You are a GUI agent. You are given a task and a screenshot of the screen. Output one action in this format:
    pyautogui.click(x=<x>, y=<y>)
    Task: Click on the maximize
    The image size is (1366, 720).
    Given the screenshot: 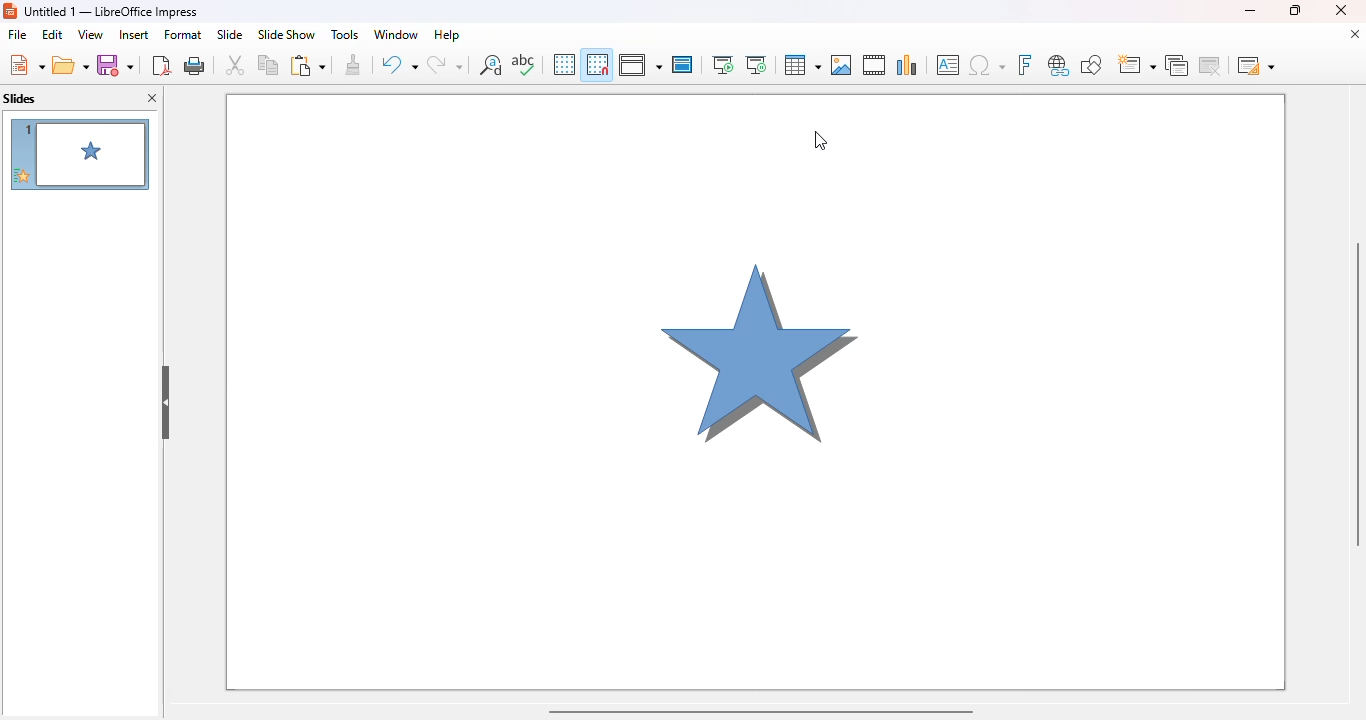 What is the action you would take?
    pyautogui.click(x=1294, y=10)
    